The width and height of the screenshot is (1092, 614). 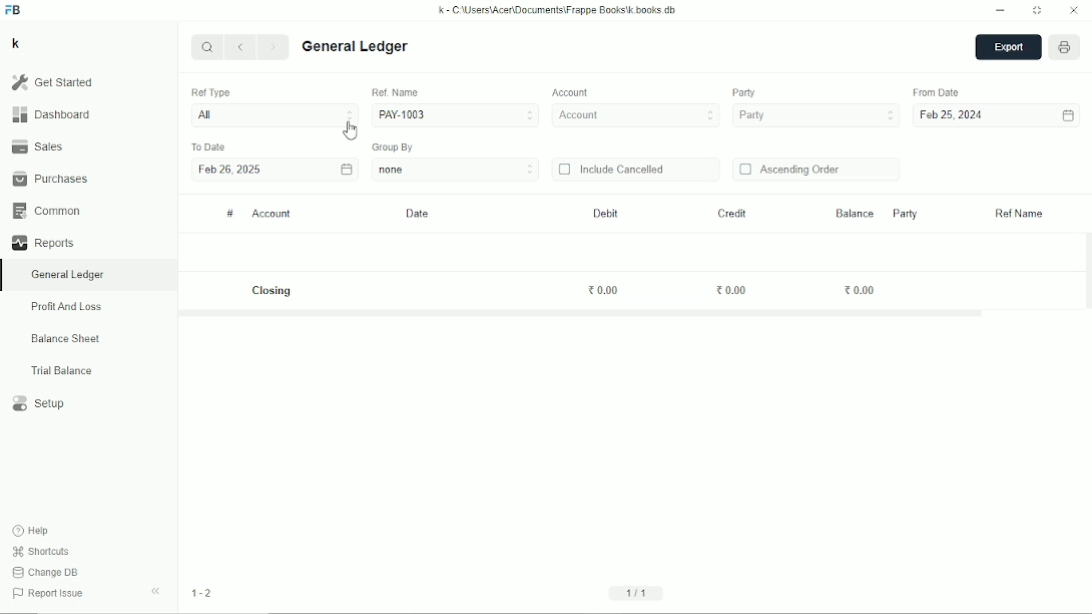 I want to click on To date, so click(x=208, y=146).